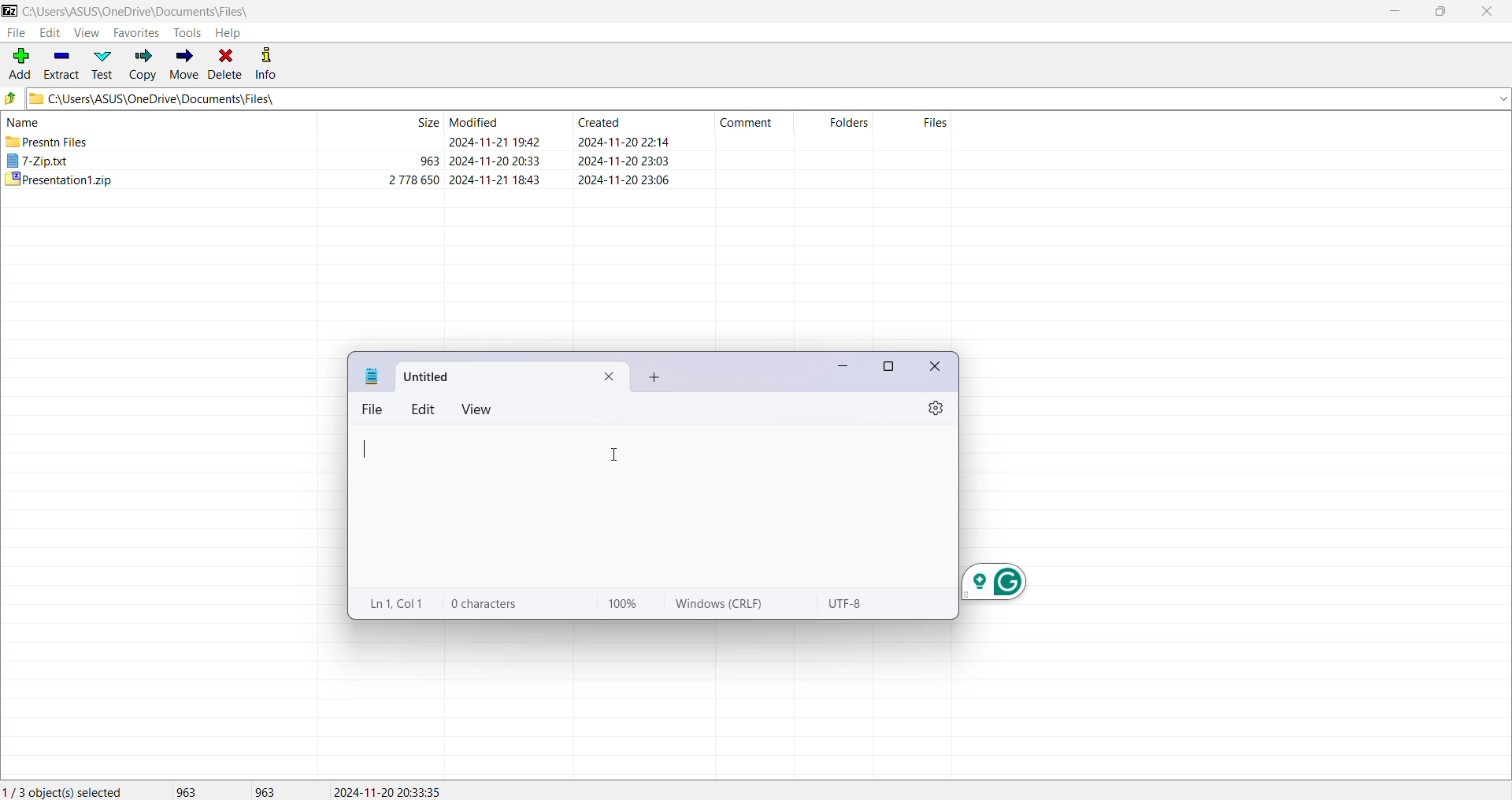 The width and height of the screenshot is (1512, 800). What do you see at coordinates (495, 142) in the screenshot?
I see `modified date & time` at bounding box center [495, 142].